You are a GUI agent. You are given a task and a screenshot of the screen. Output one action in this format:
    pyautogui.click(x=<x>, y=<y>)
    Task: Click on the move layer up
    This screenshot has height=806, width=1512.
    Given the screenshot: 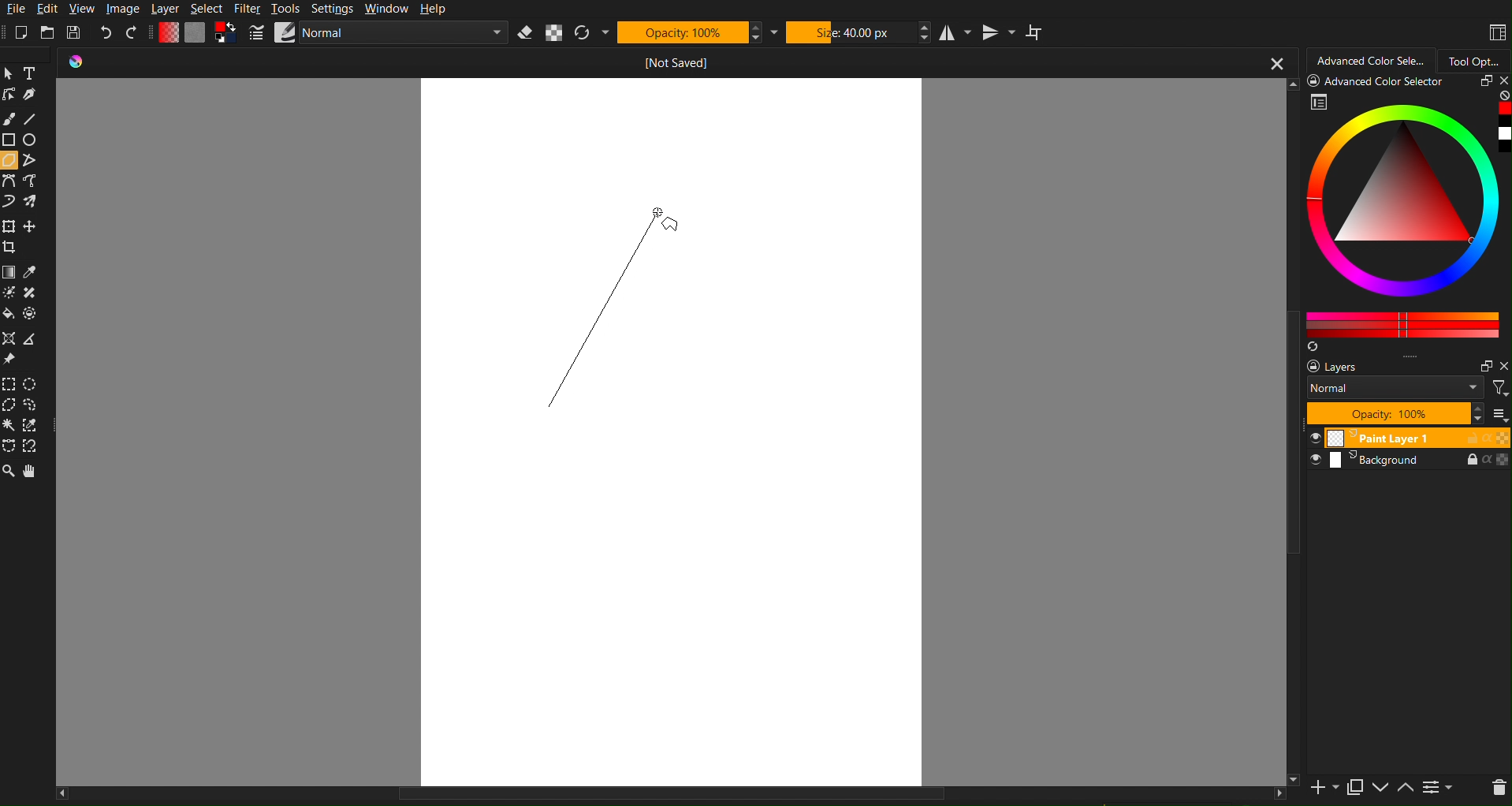 What is the action you would take?
    pyautogui.click(x=1406, y=789)
    